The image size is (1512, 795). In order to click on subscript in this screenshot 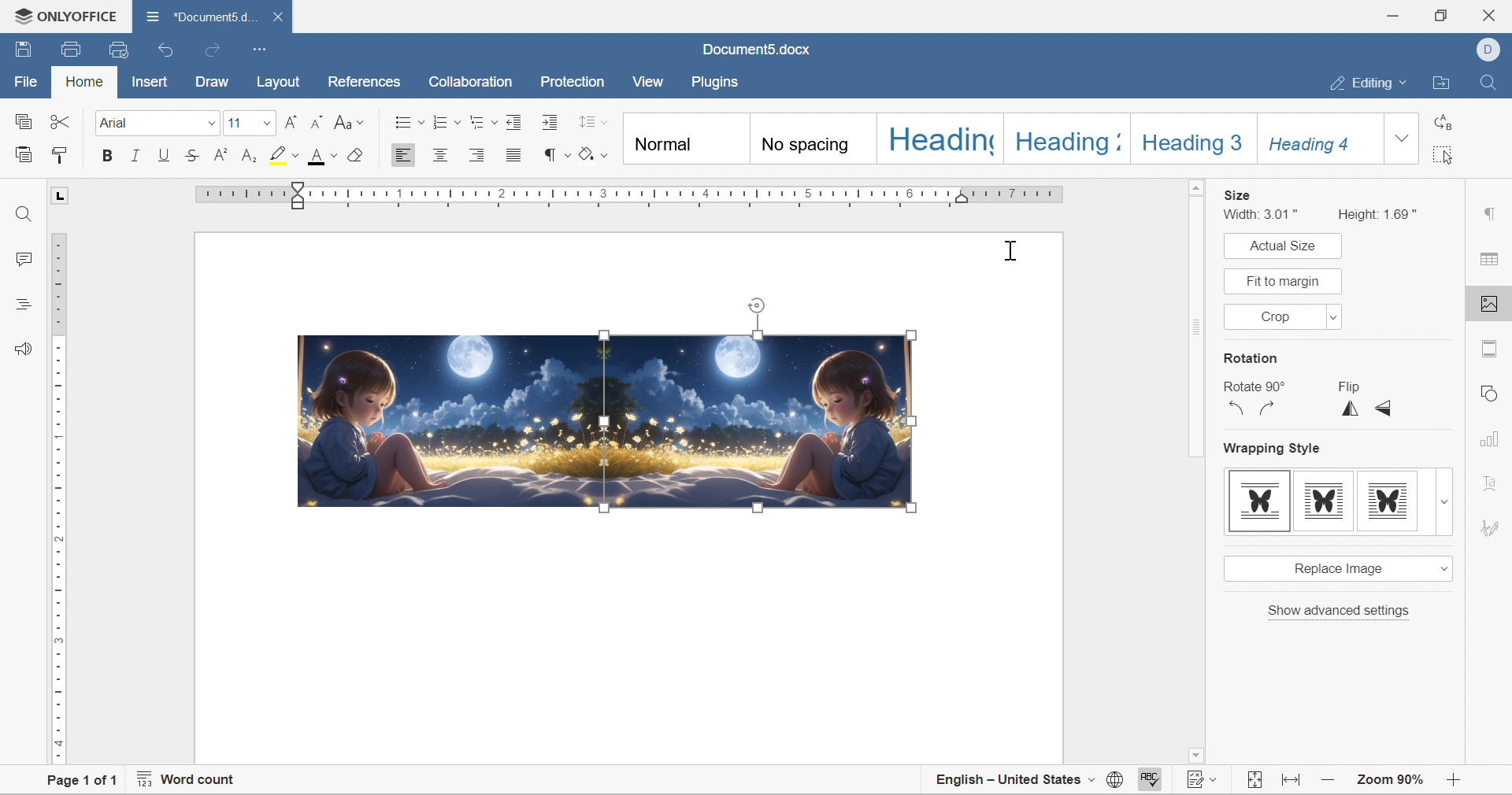, I will do `click(250, 156)`.